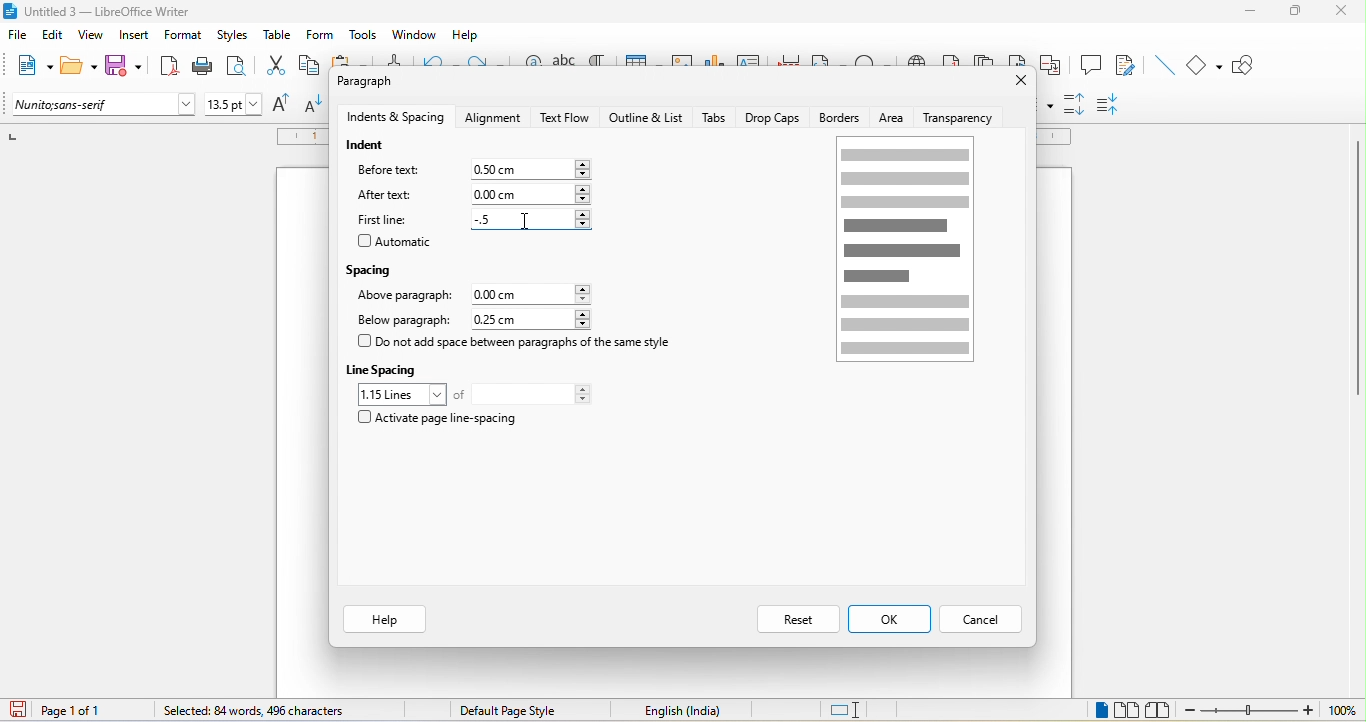 Image resolution: width=1366 pixels, height=722 pixels. Describe the element at coordinates (715, 116) in the screenshot. I see `tabs` at that location.